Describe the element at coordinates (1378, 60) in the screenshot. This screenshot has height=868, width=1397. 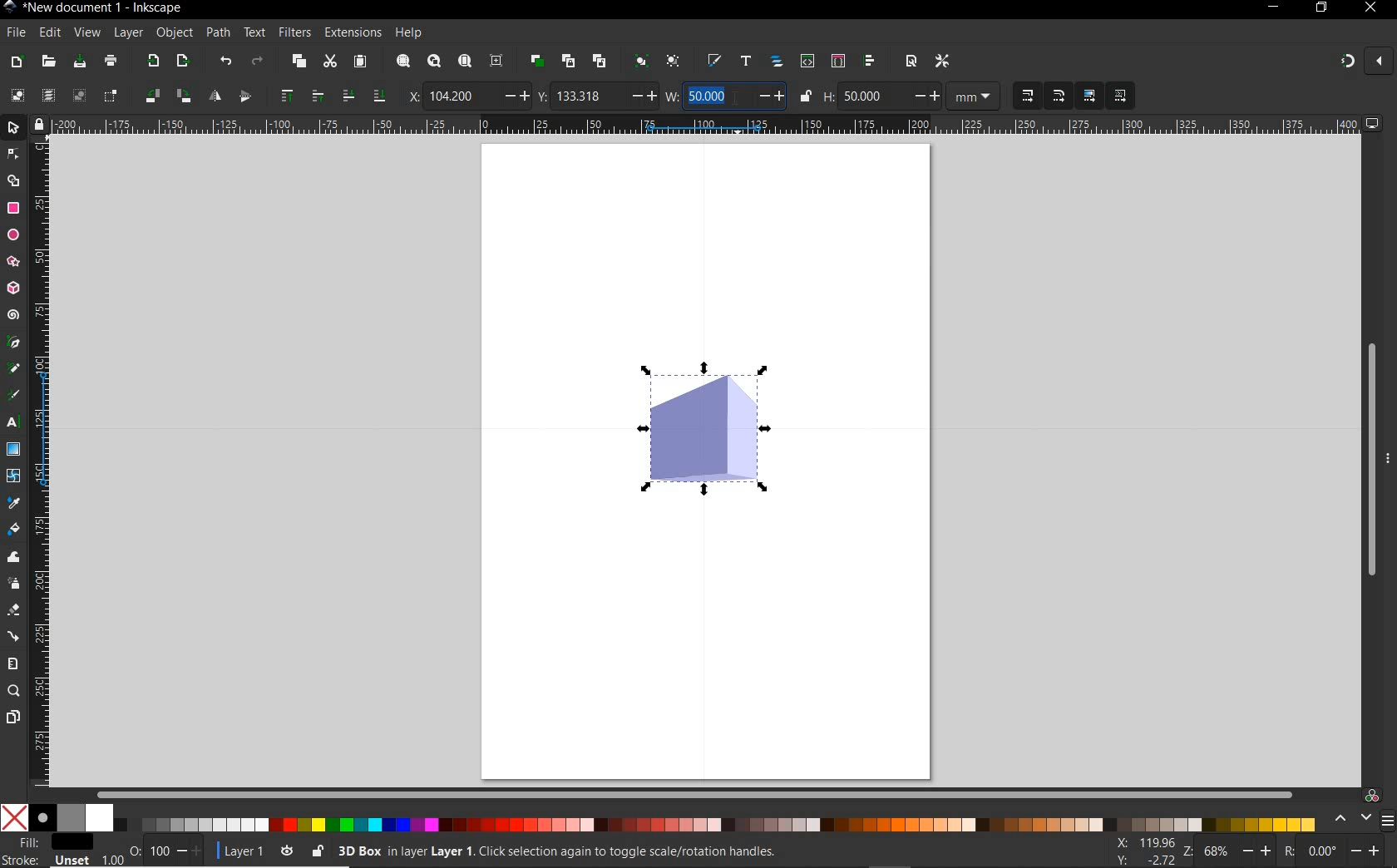
I see `close` at that location.